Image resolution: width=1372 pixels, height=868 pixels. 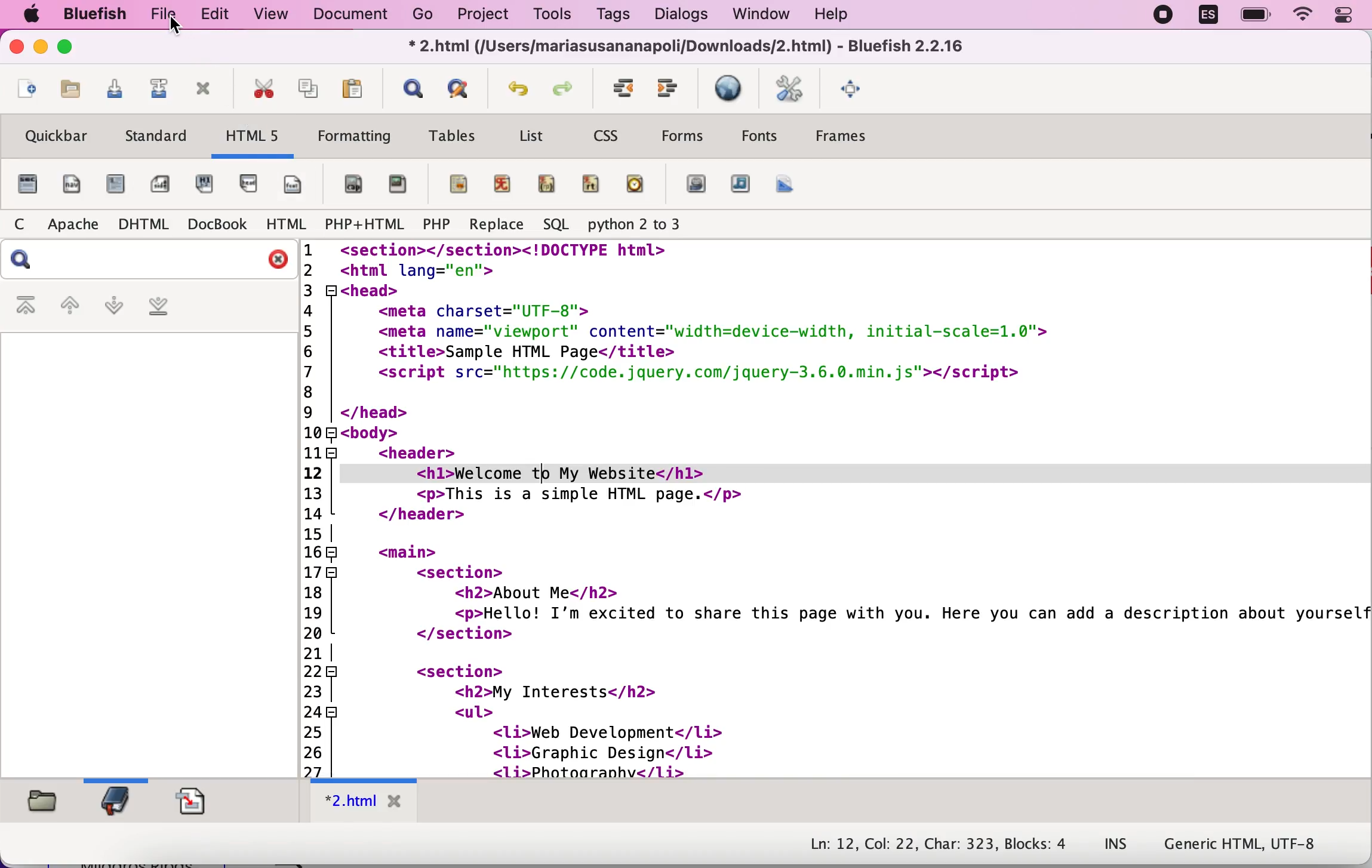 What do you see at coordinates (152, 92) in the screenshot?
I see `save file as` at bounding box center [152, 92].